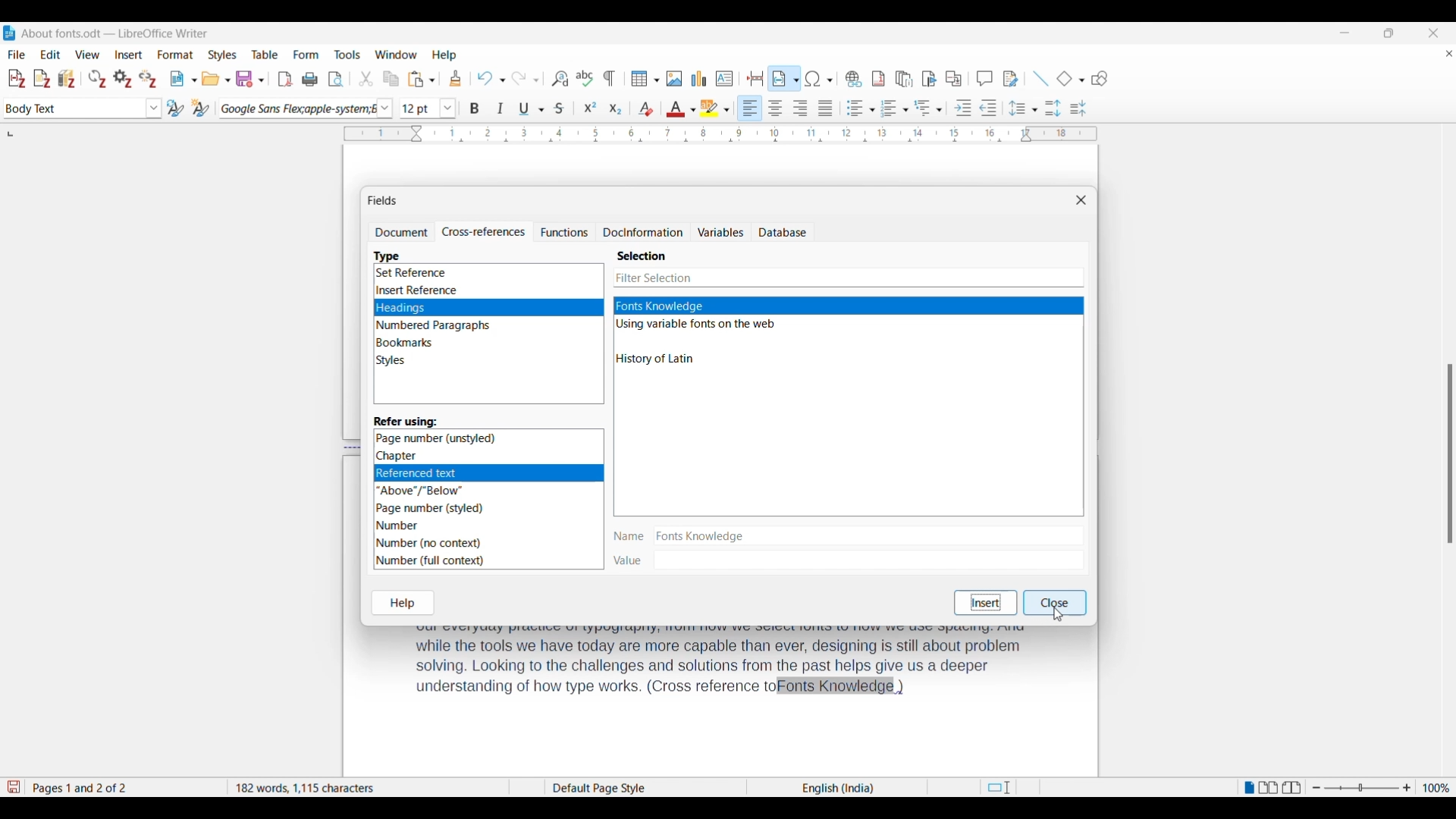 Image resolution: width=1456 pixels, height=819 pixels. Describe the element at coordinates (347, 55) in the screenshot. I see `Tools menu` at that location.